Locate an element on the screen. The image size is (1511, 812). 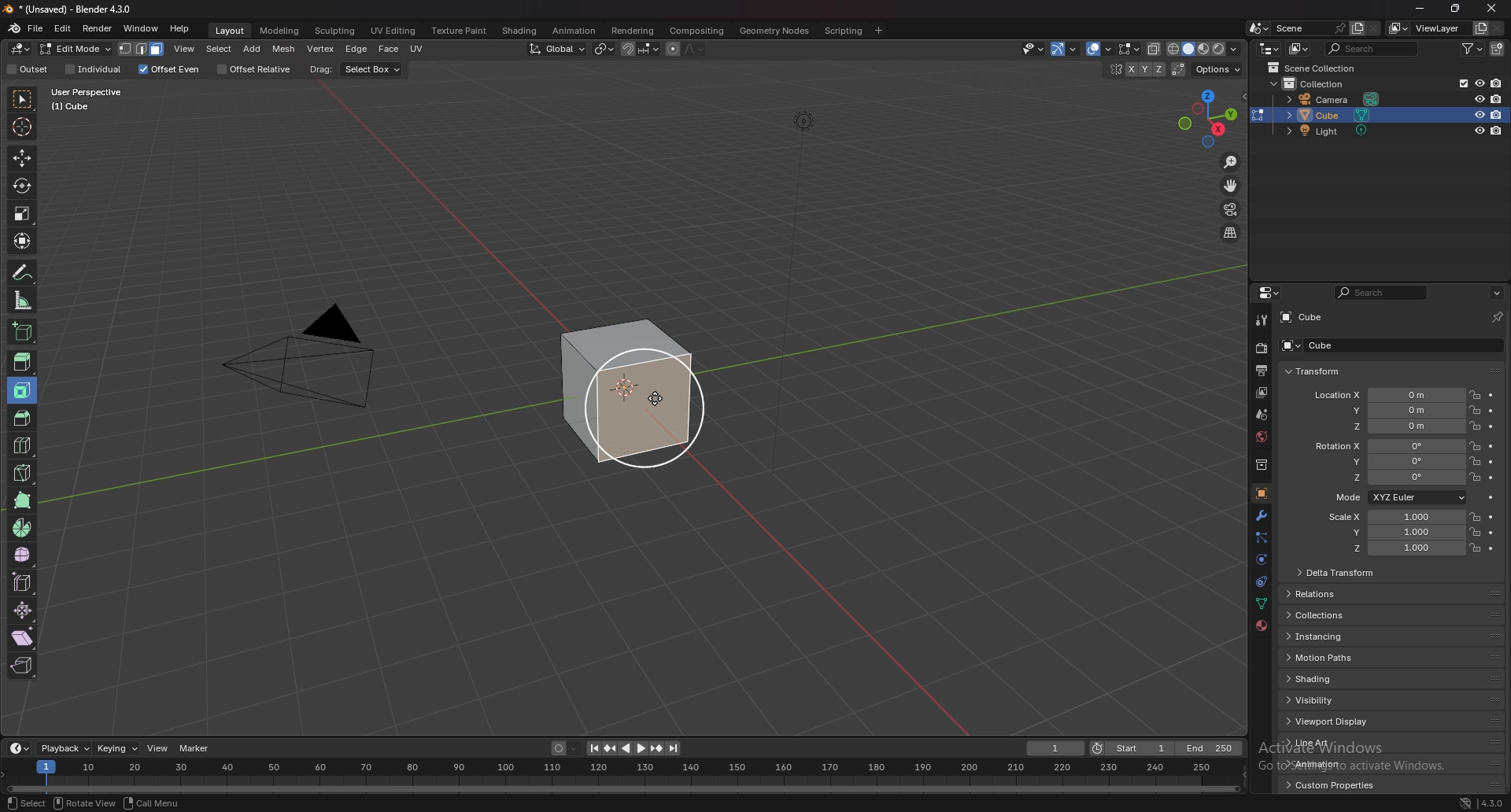
show overlays is located at coordinates (1100, 49).